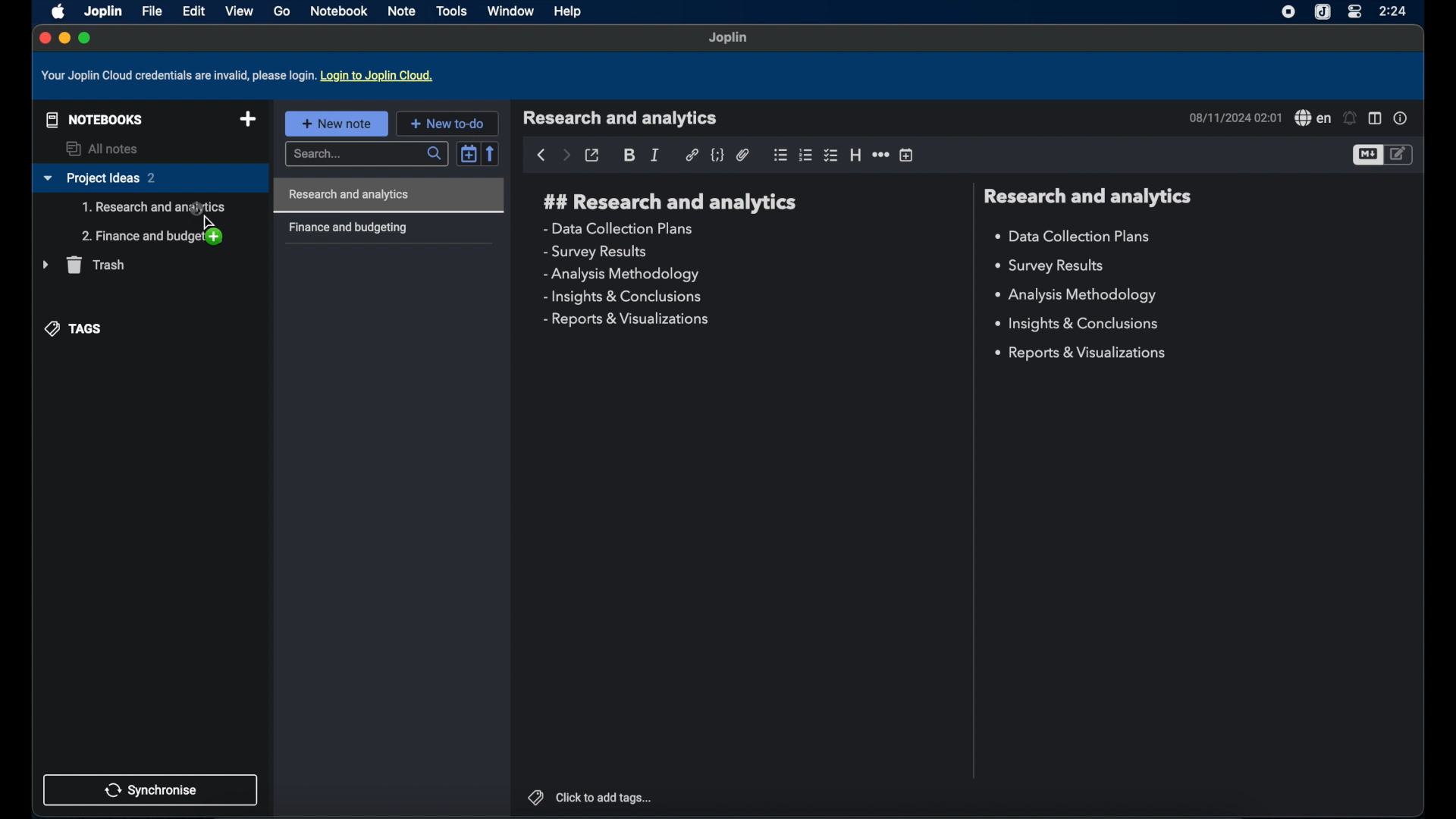  Describe the element at coordinates (855, 155) in the screenshot. I see `heading` at that location.